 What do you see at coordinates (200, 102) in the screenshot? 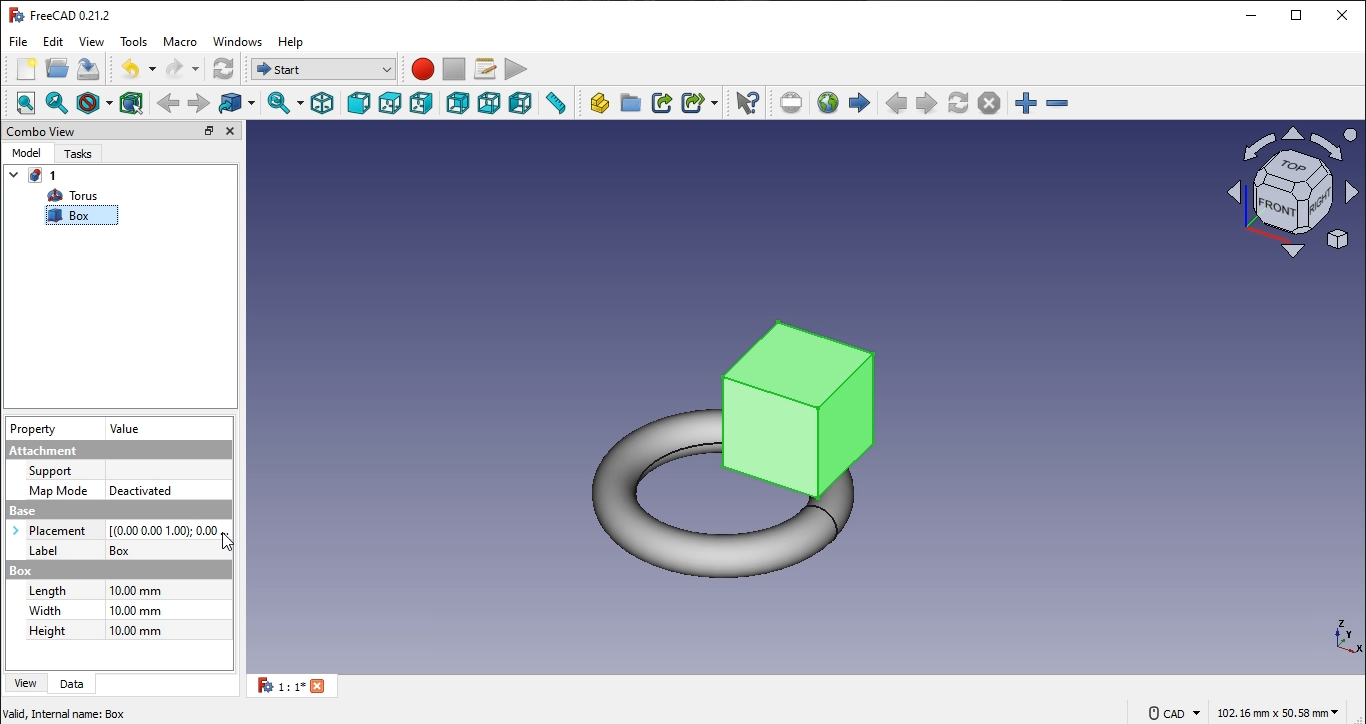
I see `forward` at bounding box center [200, 102].